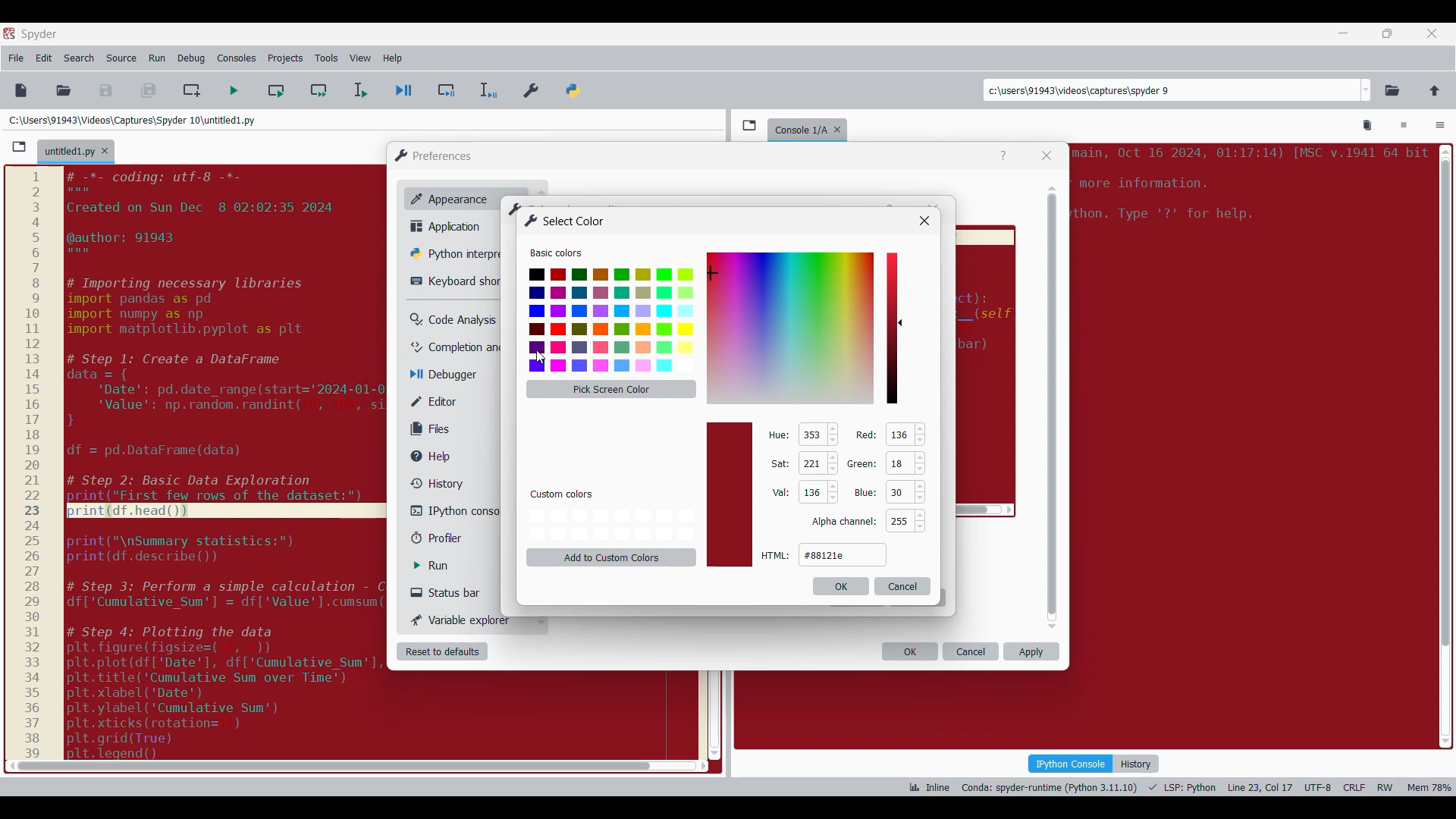 The image size is (1456, 819). I want to click on Increase/Decrease respective number, so click(920, 477).